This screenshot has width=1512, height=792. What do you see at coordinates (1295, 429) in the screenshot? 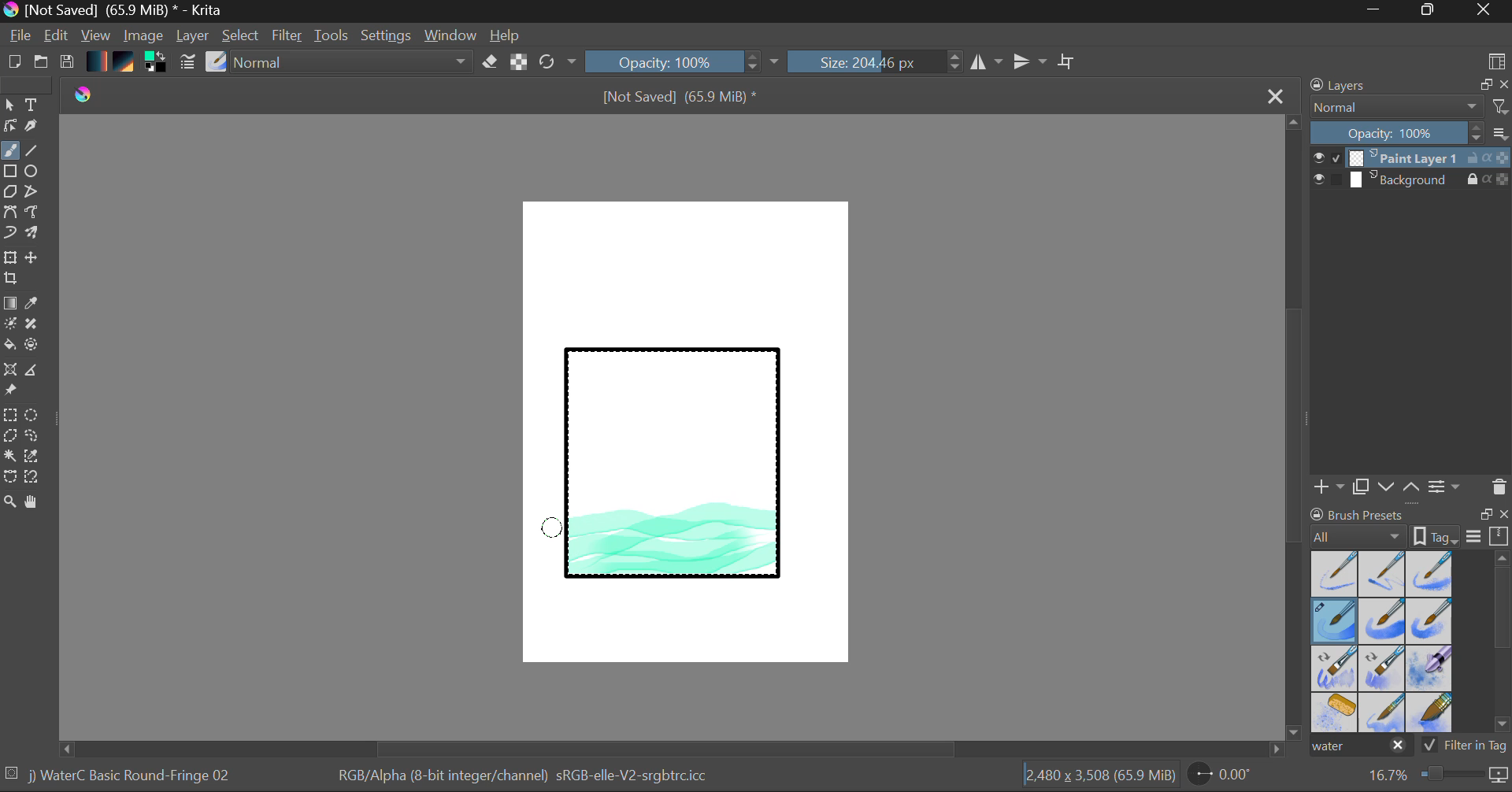
I see `Scroll Bar` at bounding box center [1295, 429].